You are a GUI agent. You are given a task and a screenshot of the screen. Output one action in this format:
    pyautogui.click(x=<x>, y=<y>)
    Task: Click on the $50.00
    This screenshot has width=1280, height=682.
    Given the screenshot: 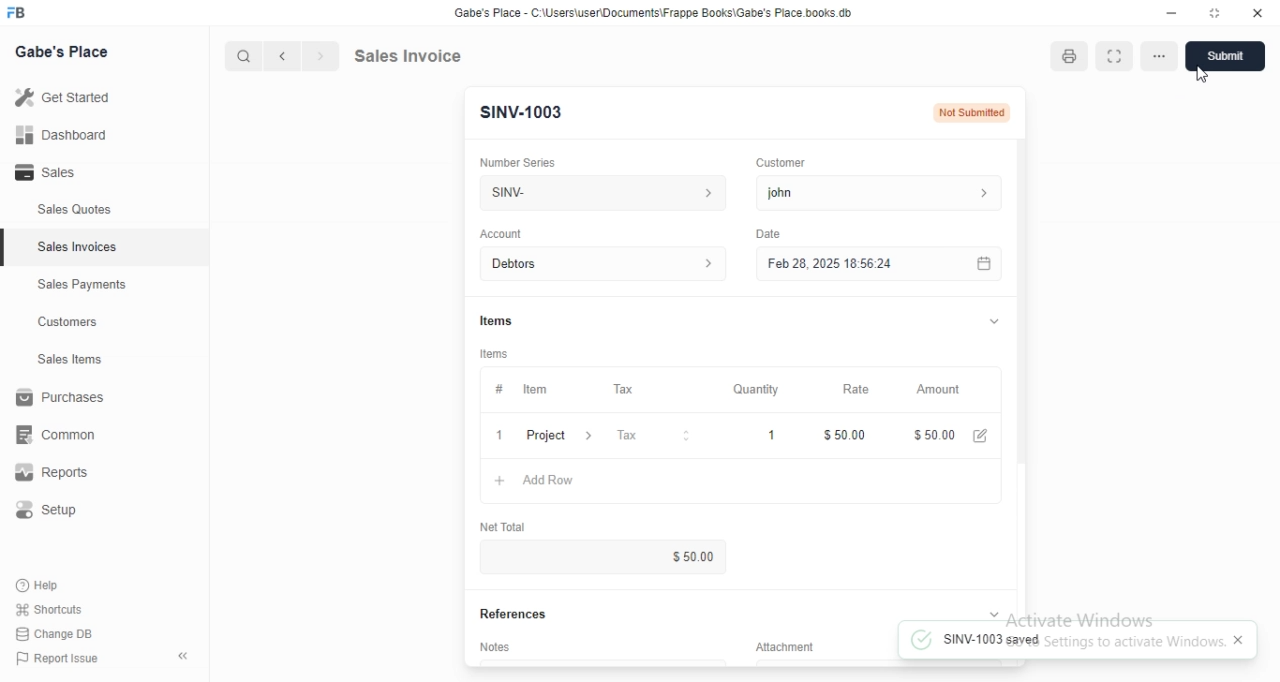 What is the action you would take?
    pyautogui.click(x=842, y=434)
    